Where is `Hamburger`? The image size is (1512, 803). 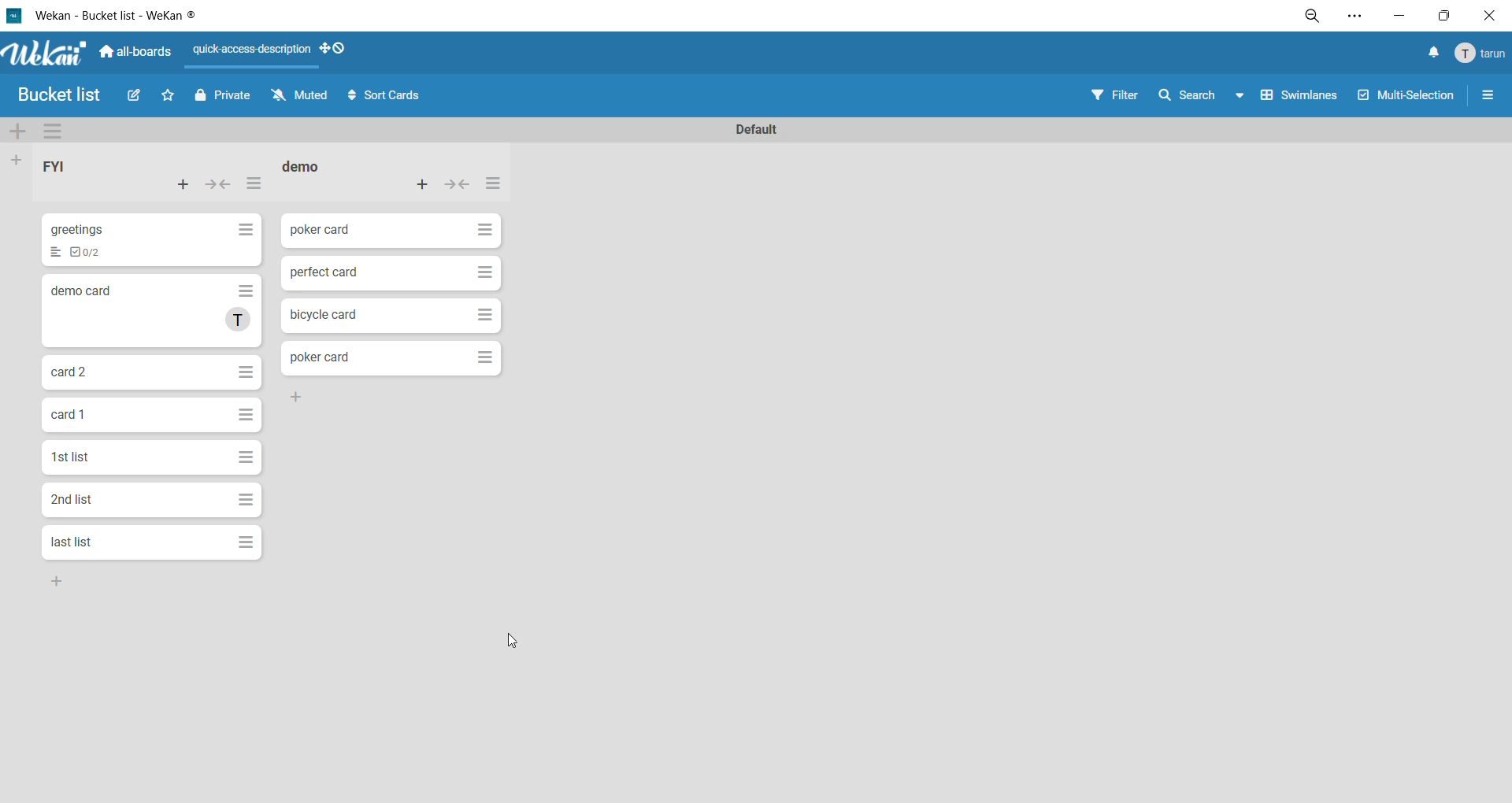
Hamburger is located at coordinates (243, 370).